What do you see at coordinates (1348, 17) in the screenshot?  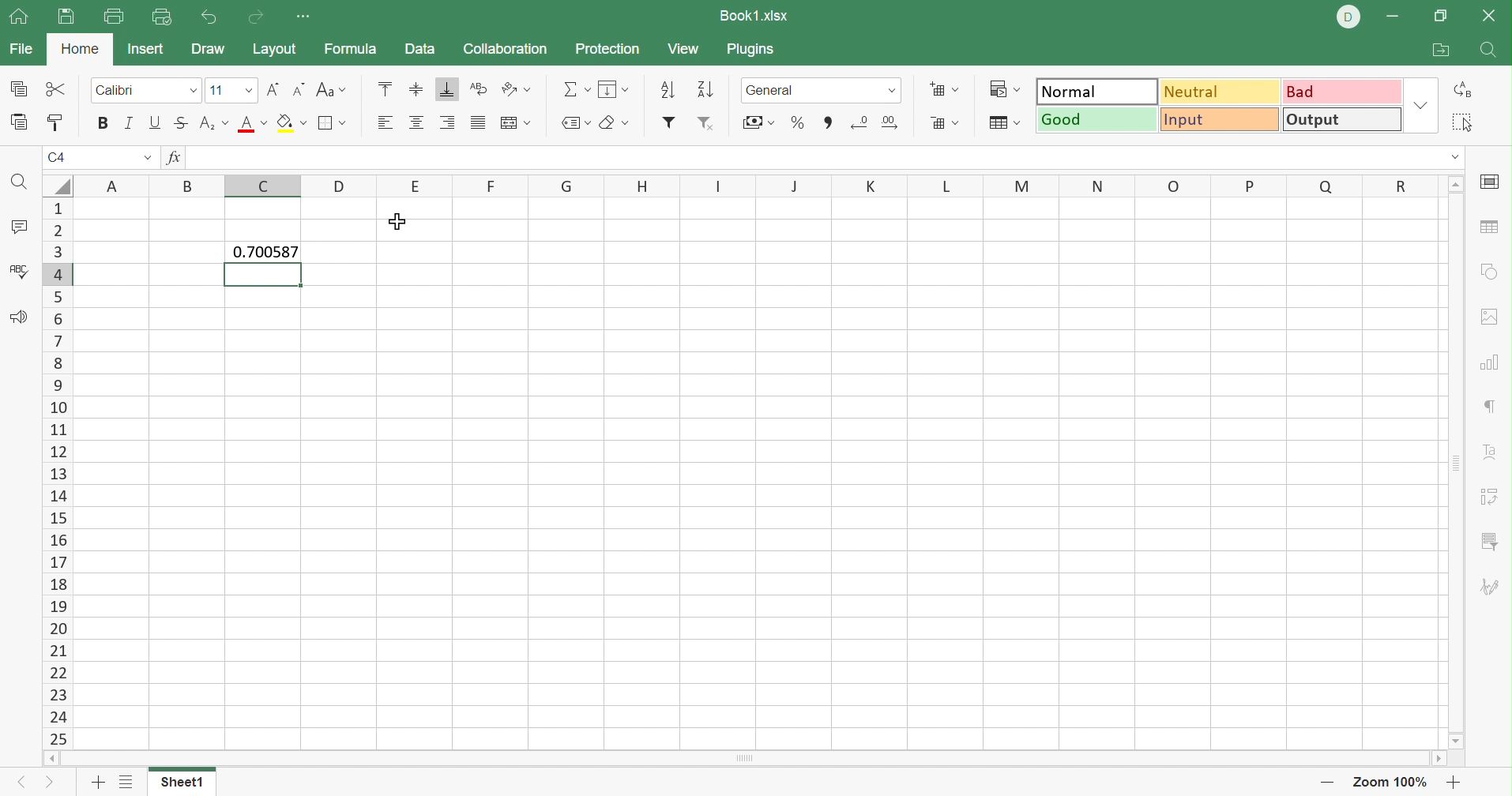 I see `DELL` at bounding box center [1348, 17].